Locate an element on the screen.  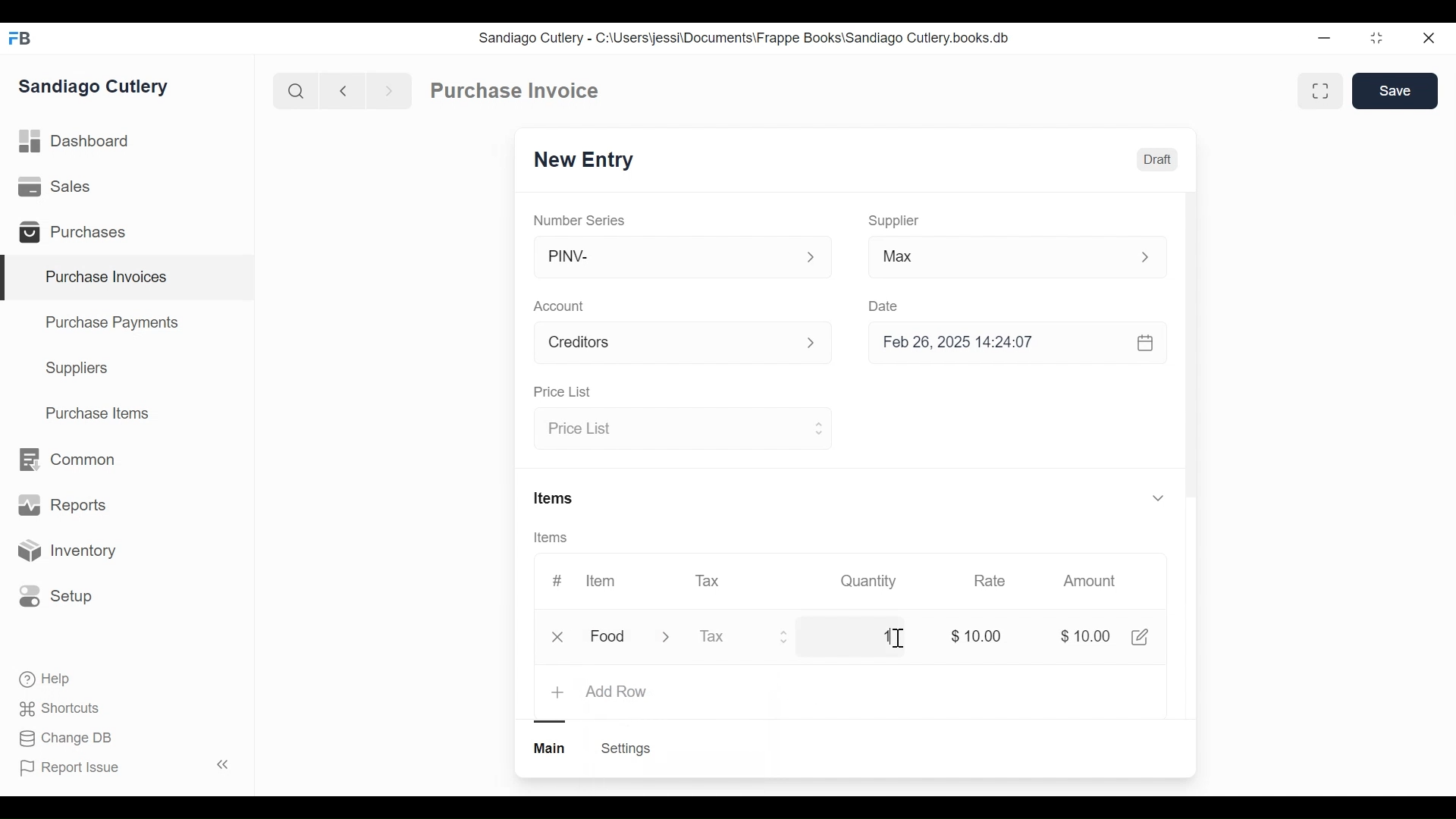
Inventory is located at coordinates (65, 551).